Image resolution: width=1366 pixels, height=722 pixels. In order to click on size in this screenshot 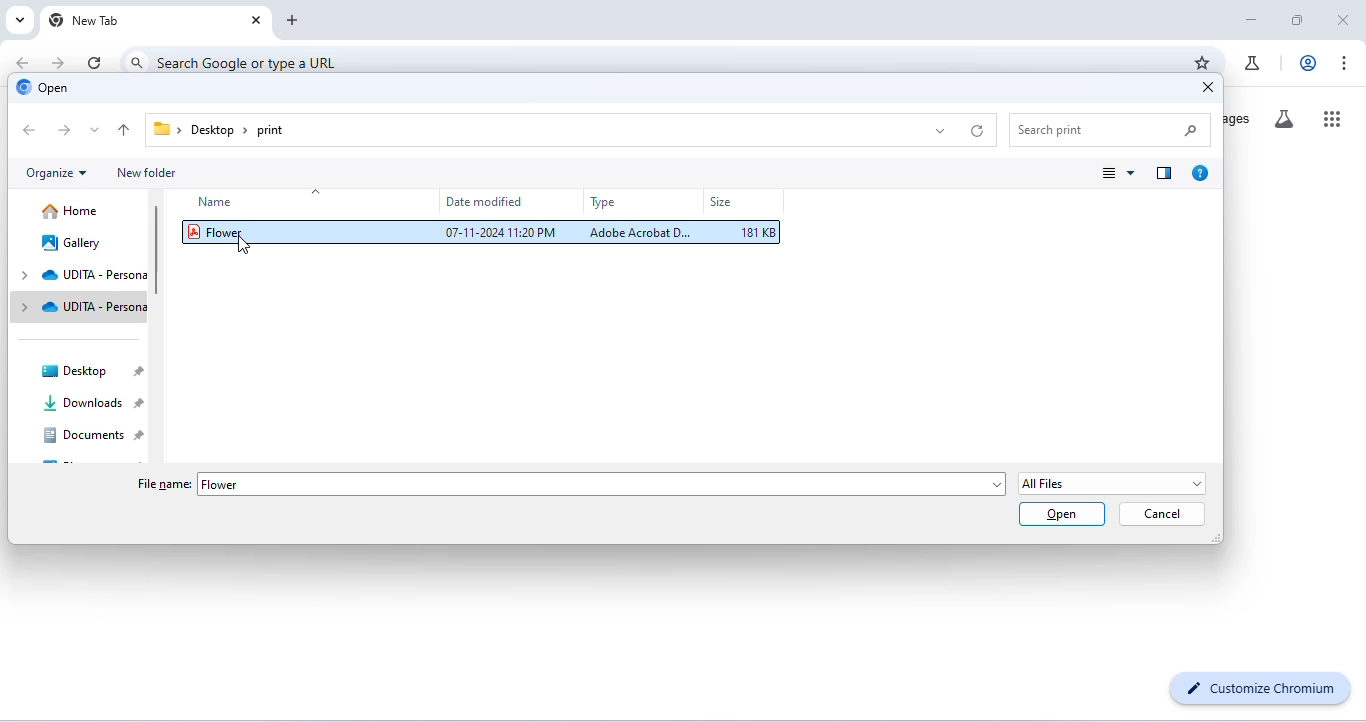, I will do `click(722, 203)`.